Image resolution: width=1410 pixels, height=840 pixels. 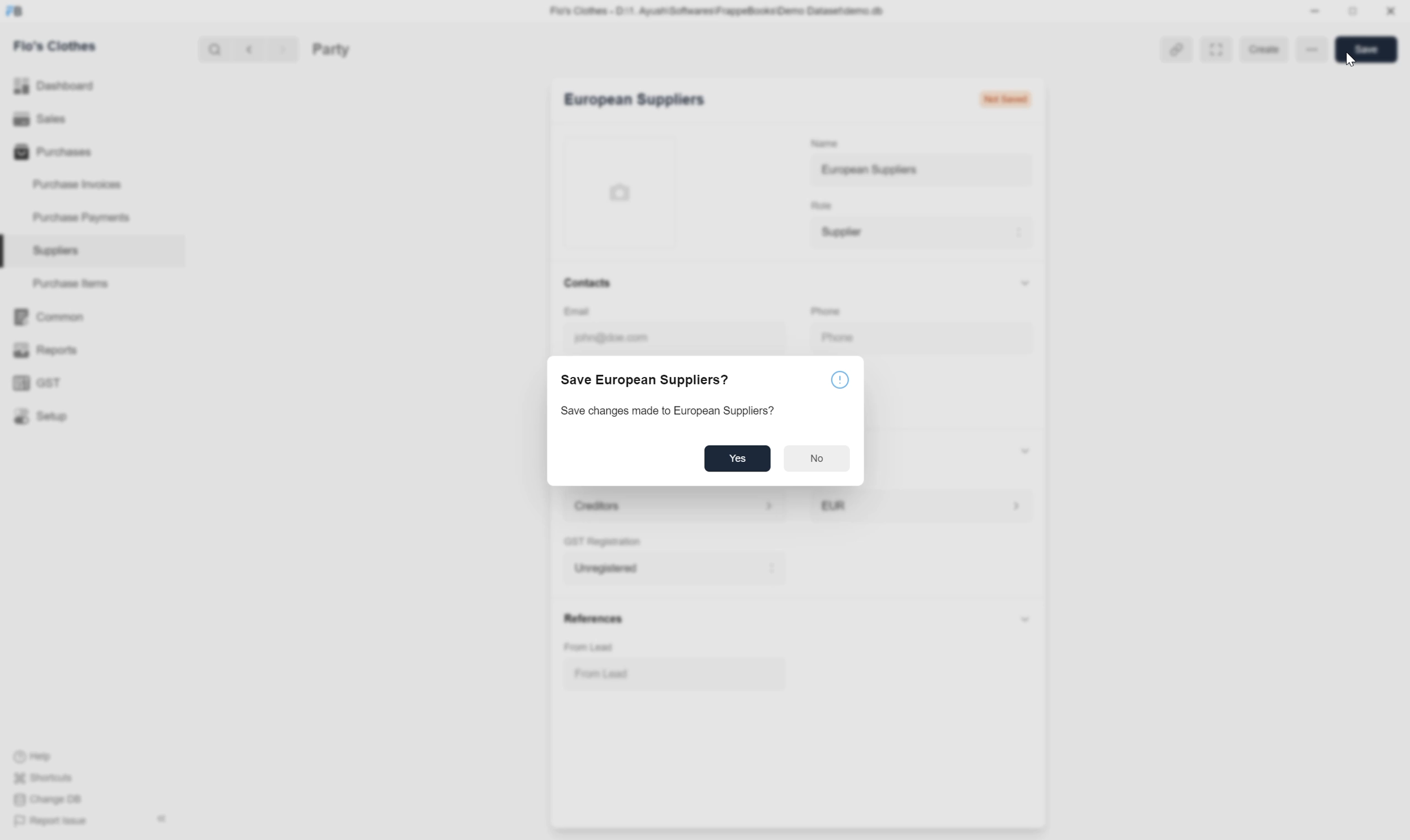 What do you see at coordinates (1312, 11) in the screenshot?
I see `minimise` at bounding box center [1312, 11].